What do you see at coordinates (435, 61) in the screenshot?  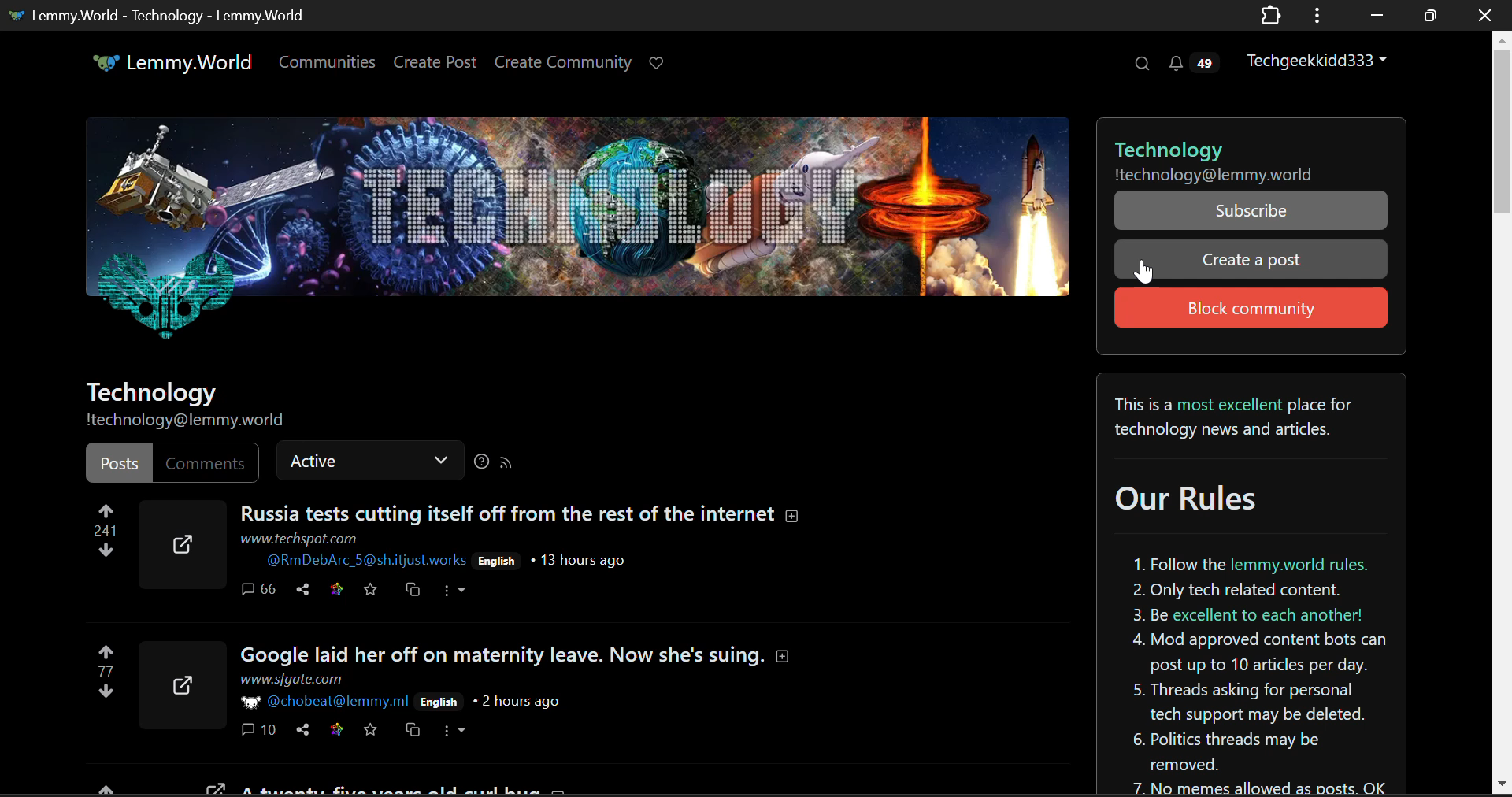 I see `Create Post Page Link` at bounding box center [435, 61].